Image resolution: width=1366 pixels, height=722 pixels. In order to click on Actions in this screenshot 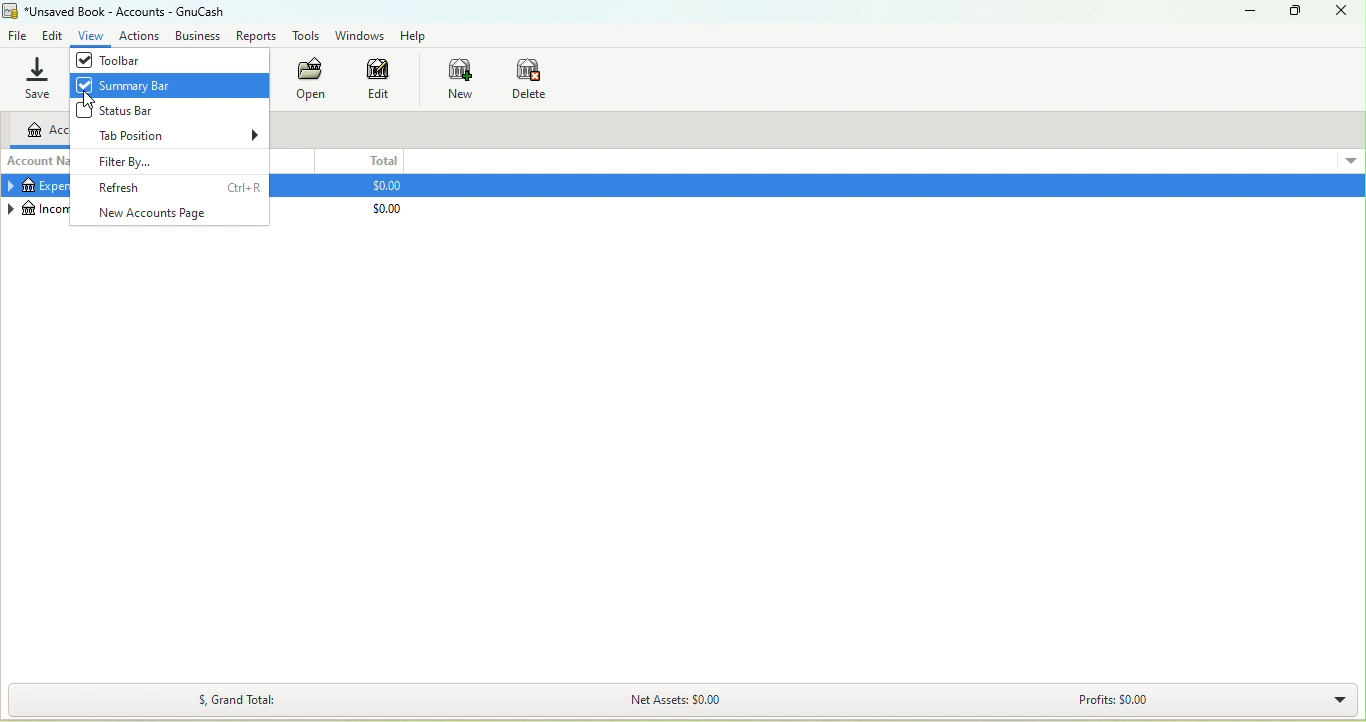, I will do `click(141, 37)`.